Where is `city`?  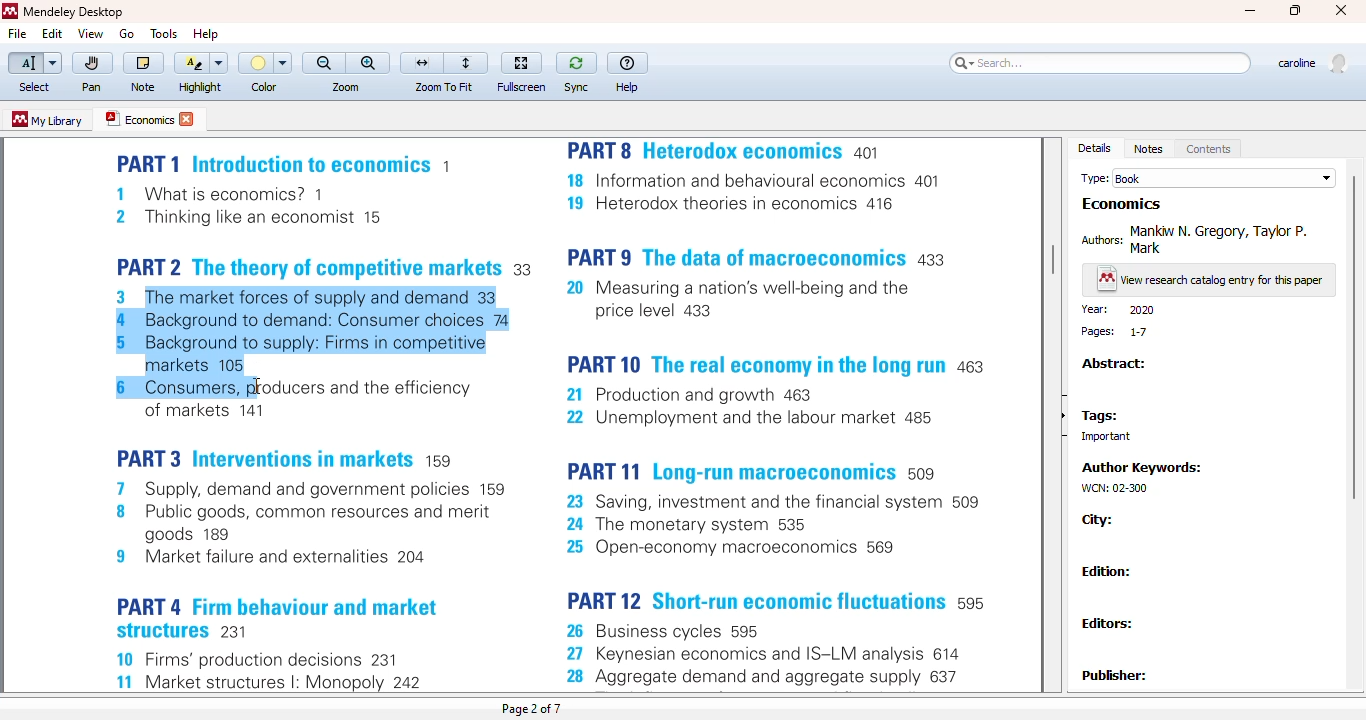
city is located at coordinates (1098, 520).